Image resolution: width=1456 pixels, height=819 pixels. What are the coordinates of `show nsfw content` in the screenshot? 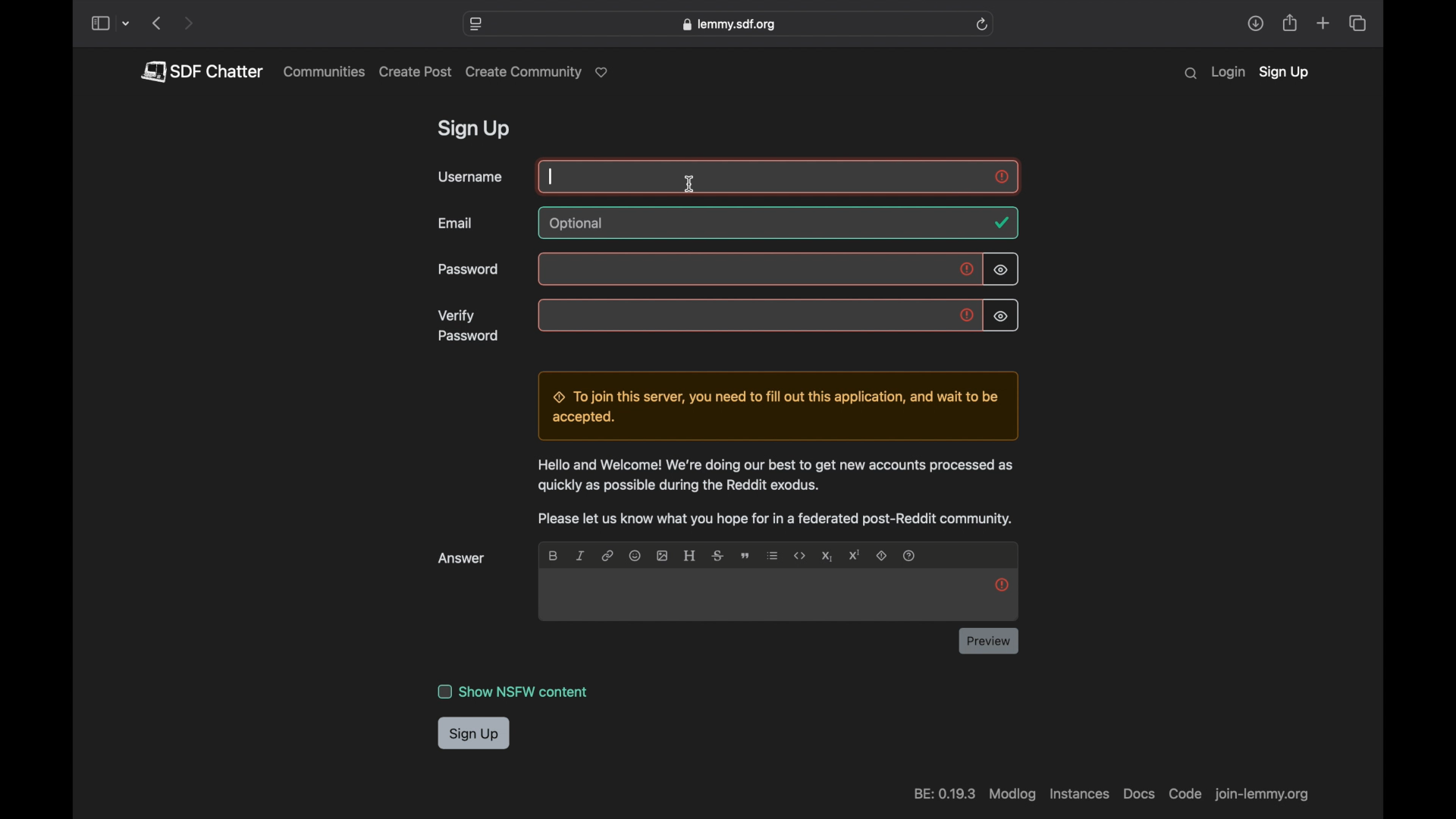 It's located at (513, 692).